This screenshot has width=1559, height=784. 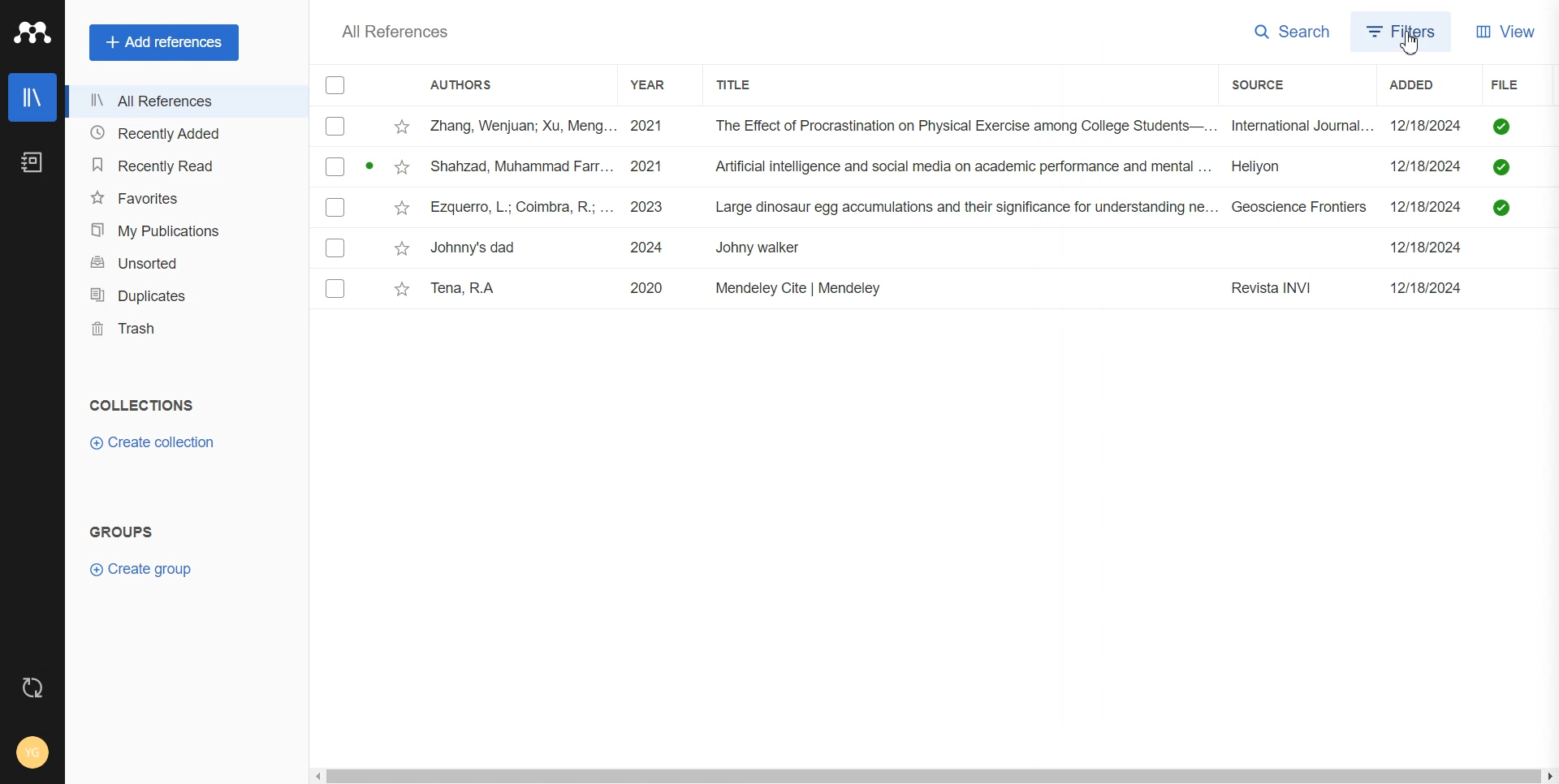 I want to click on My Publication, so click(x=184, y=227).